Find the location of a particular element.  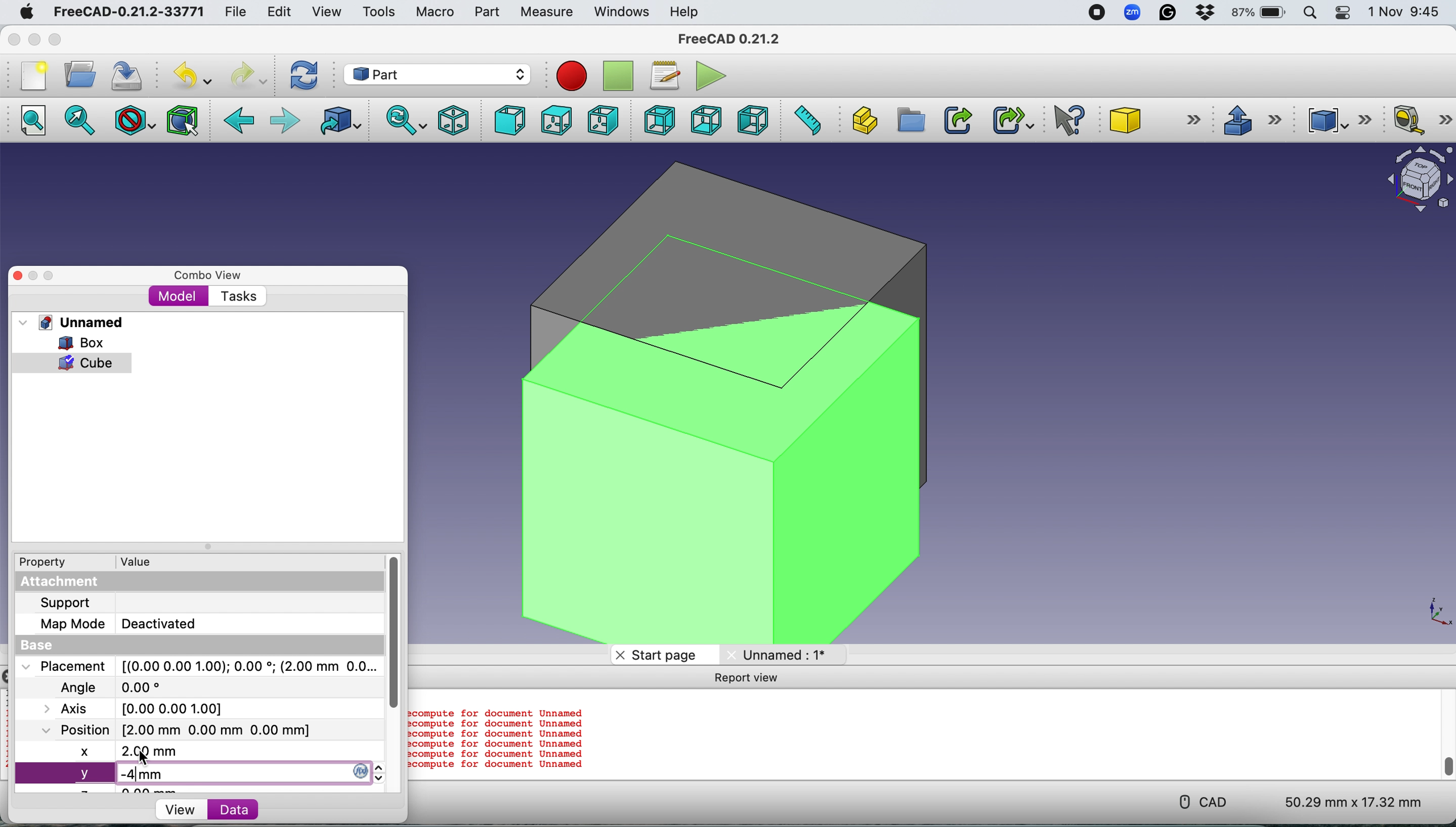

Forward is located at coordinates (285, 122).